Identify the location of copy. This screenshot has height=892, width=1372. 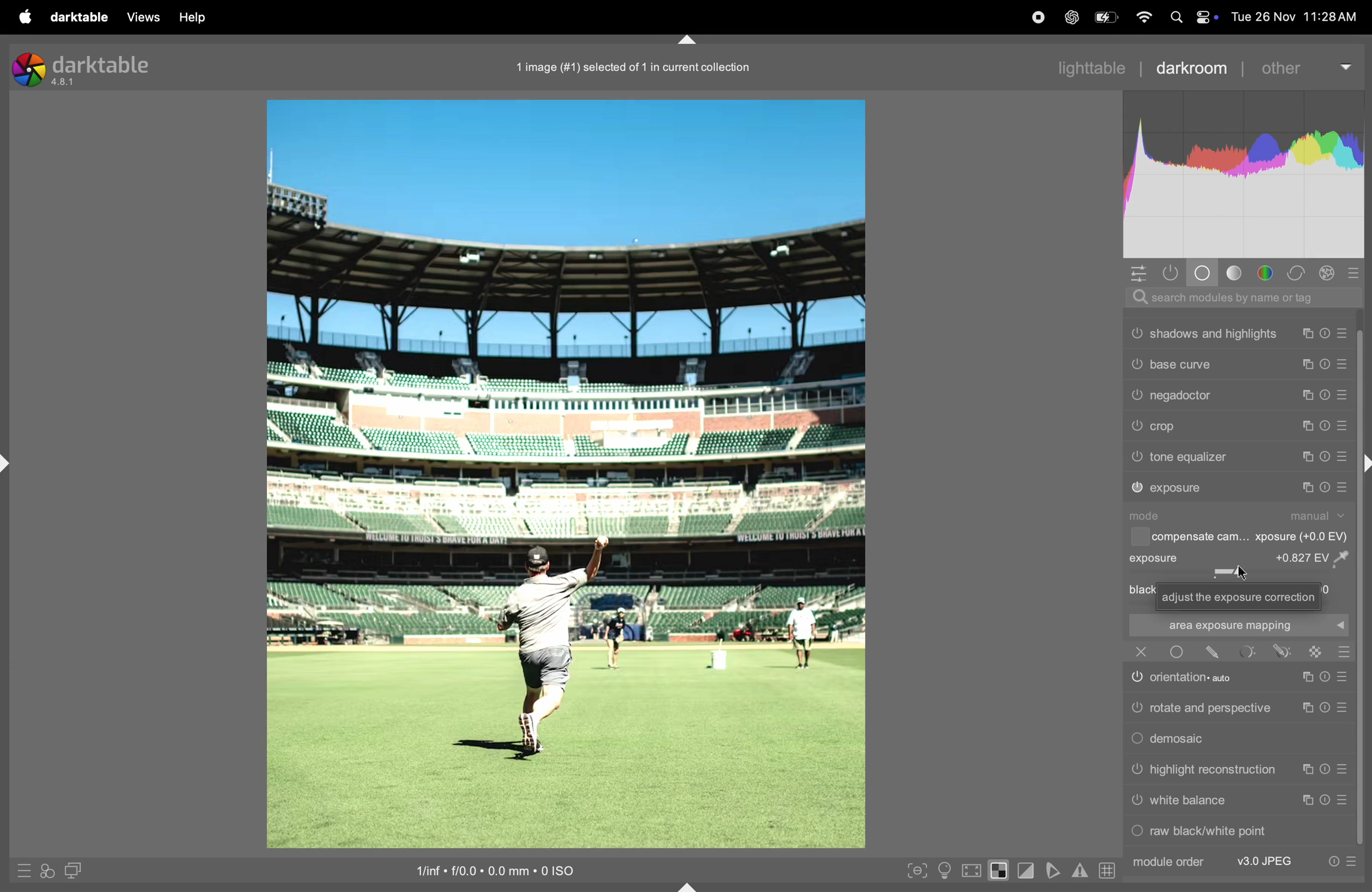
(1308, 365).